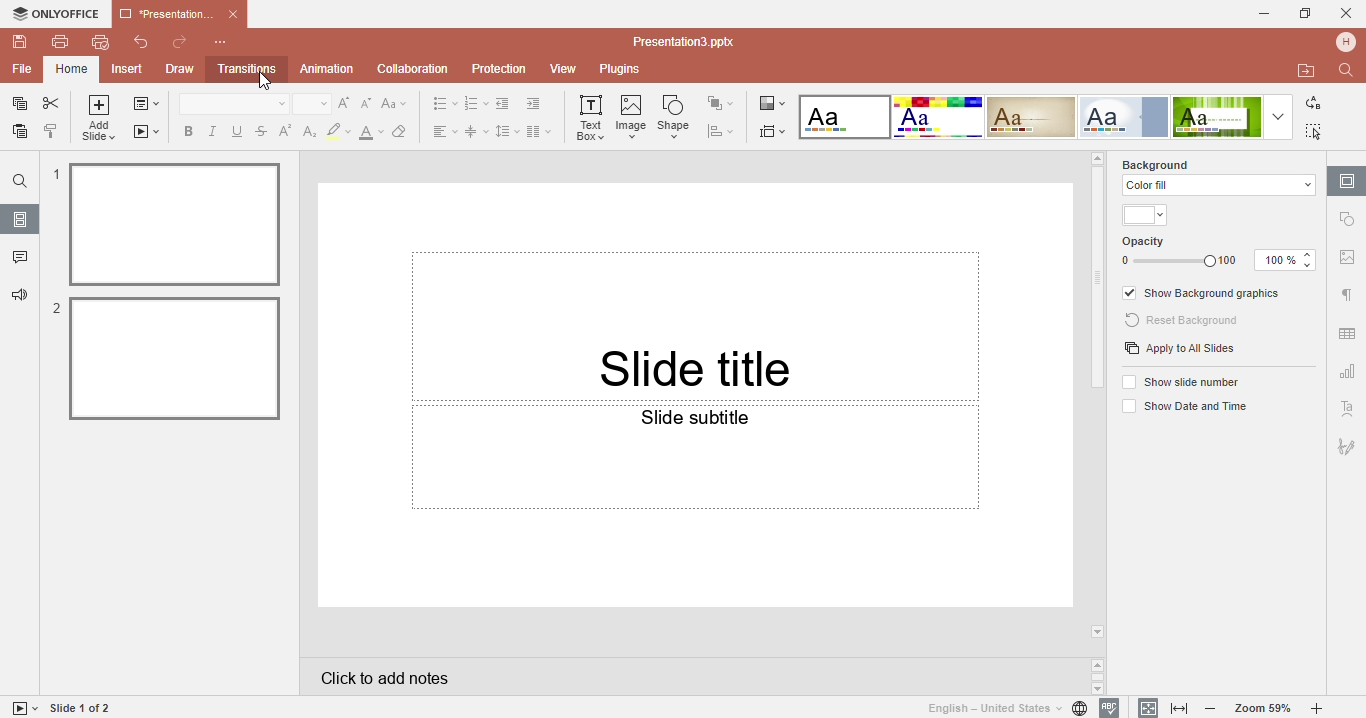  Describe the element at coordinates (566, 70) in the screenshot. I see `View` at that location.